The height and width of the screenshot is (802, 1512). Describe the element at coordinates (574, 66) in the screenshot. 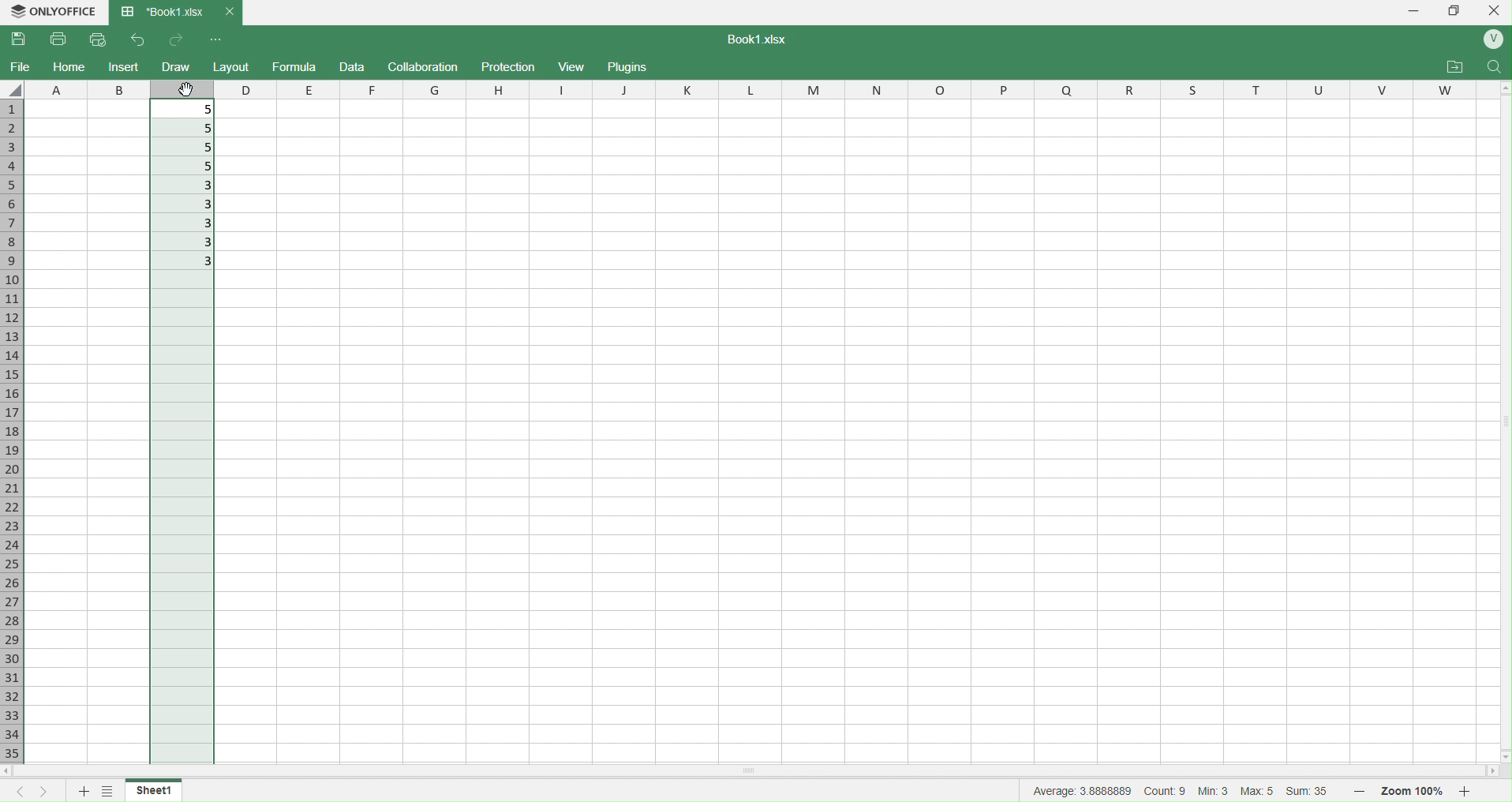

I see `View` at that location.